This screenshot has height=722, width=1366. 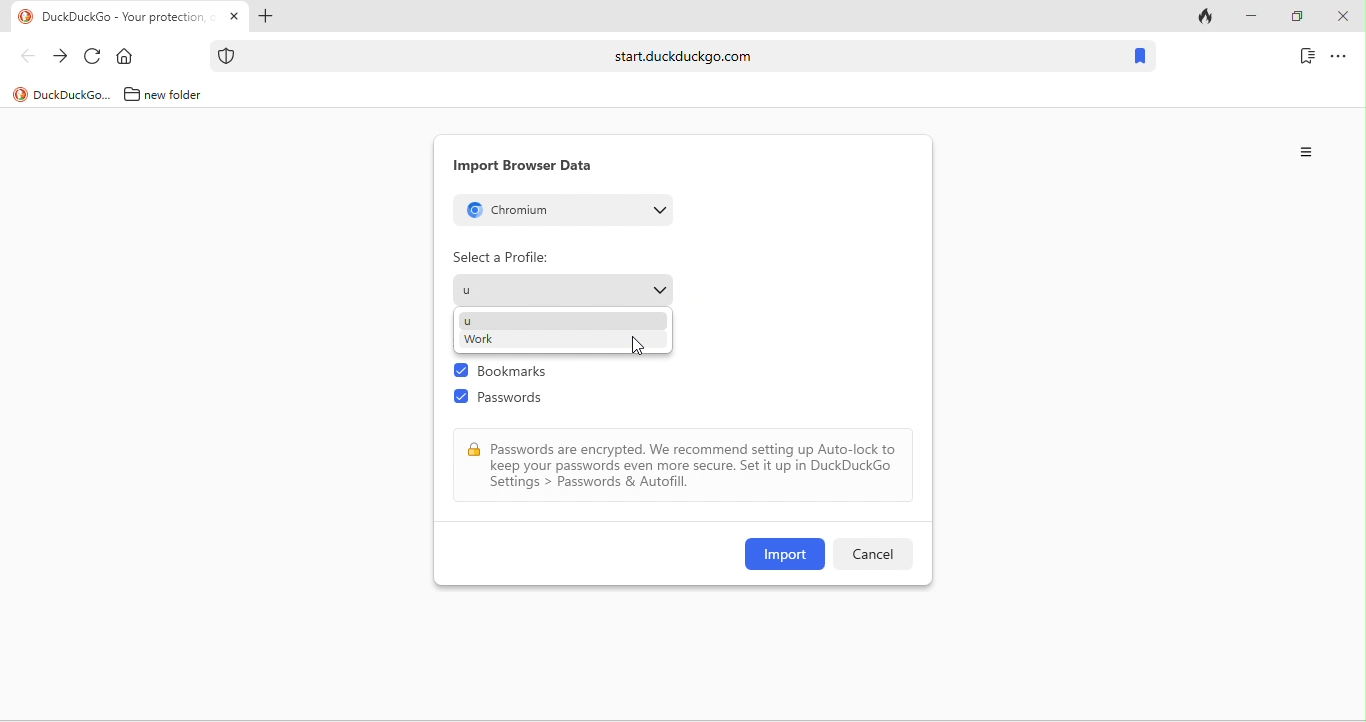 I want to click on import, so click(x=785, y=554).